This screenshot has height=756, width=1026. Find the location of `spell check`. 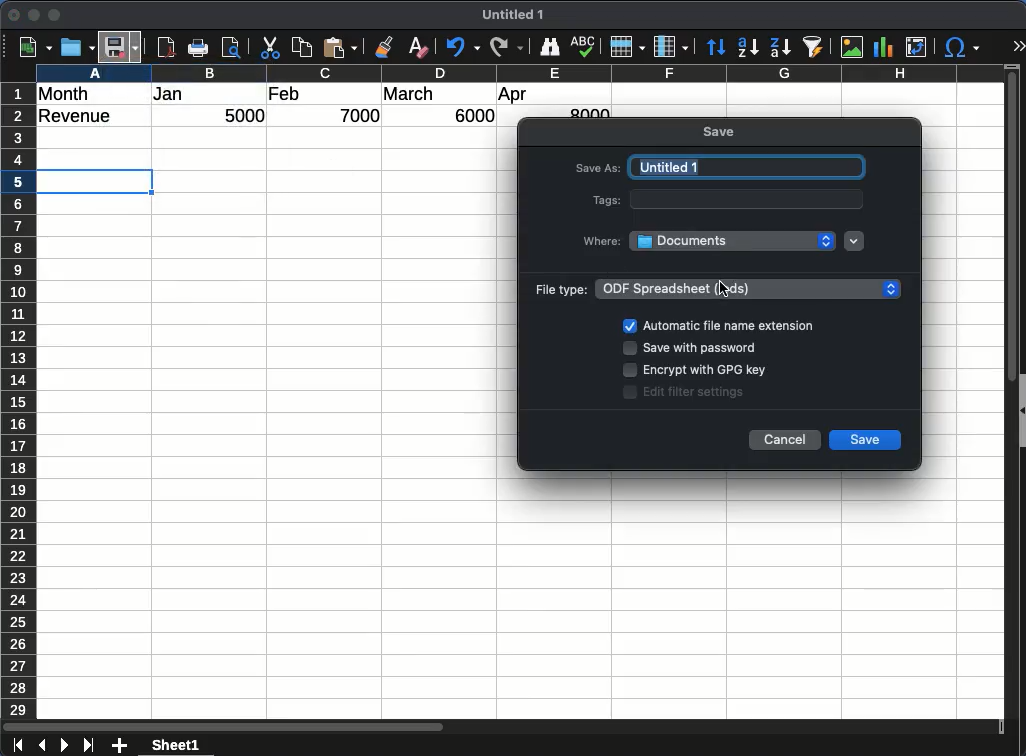

spell check is located at coordinates (584, 48).